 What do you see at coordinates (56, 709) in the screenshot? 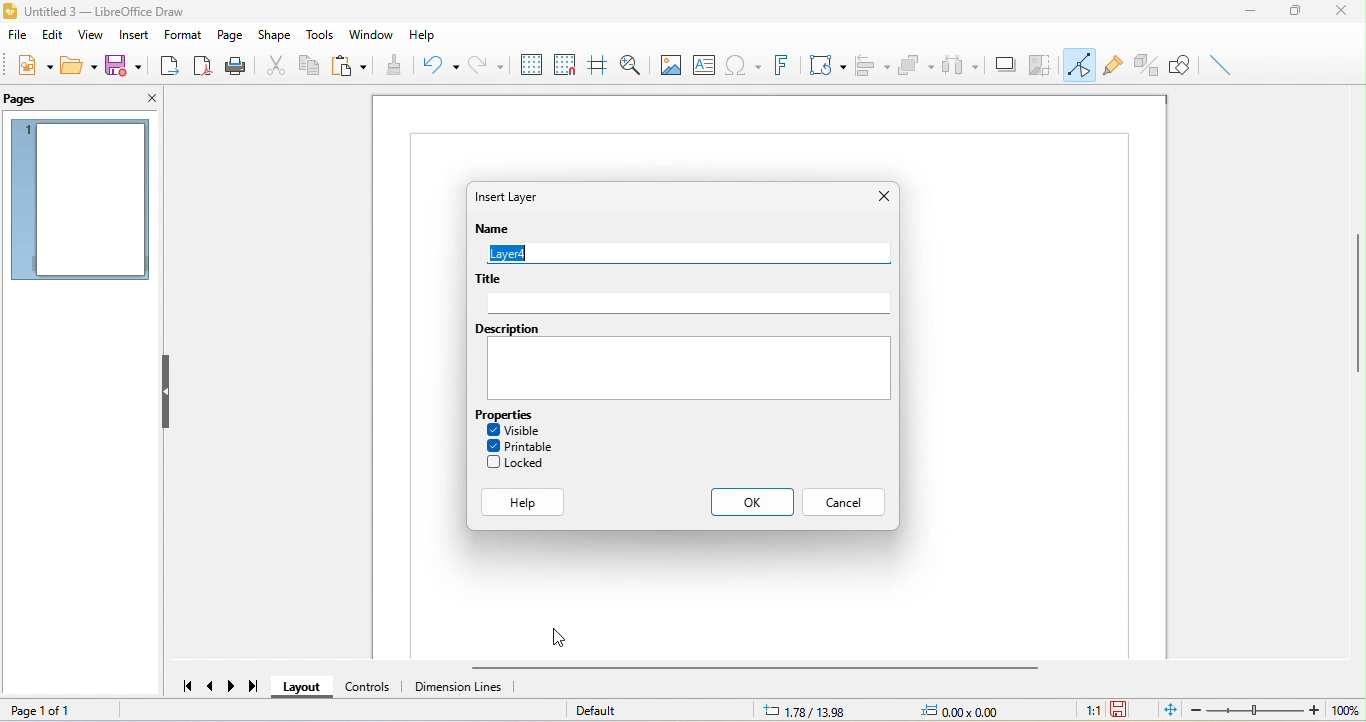
I see `page 1 of 1` at bounding box center [56, 709].